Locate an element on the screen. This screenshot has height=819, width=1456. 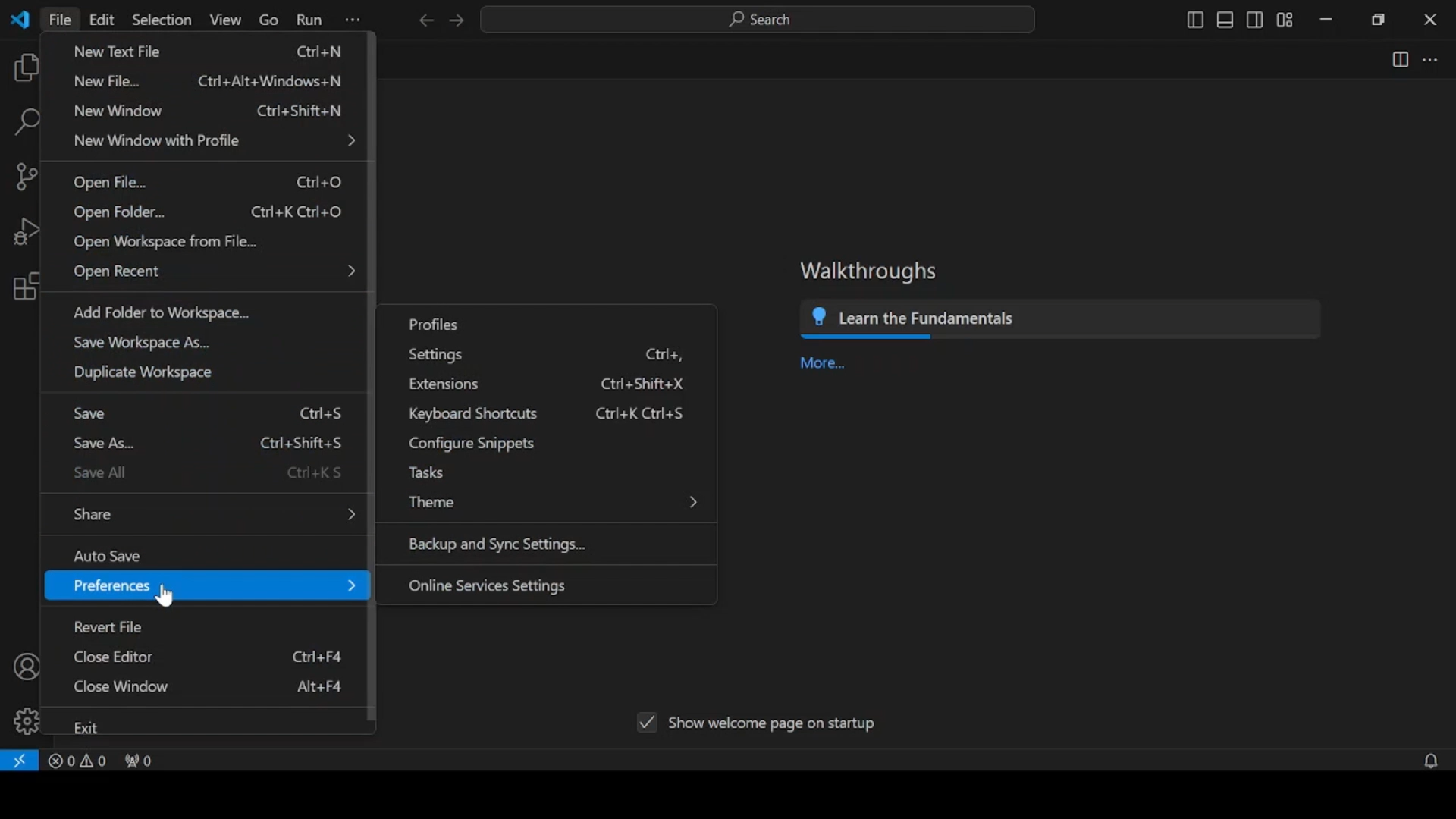
save all is located at coordinates (101, 472).